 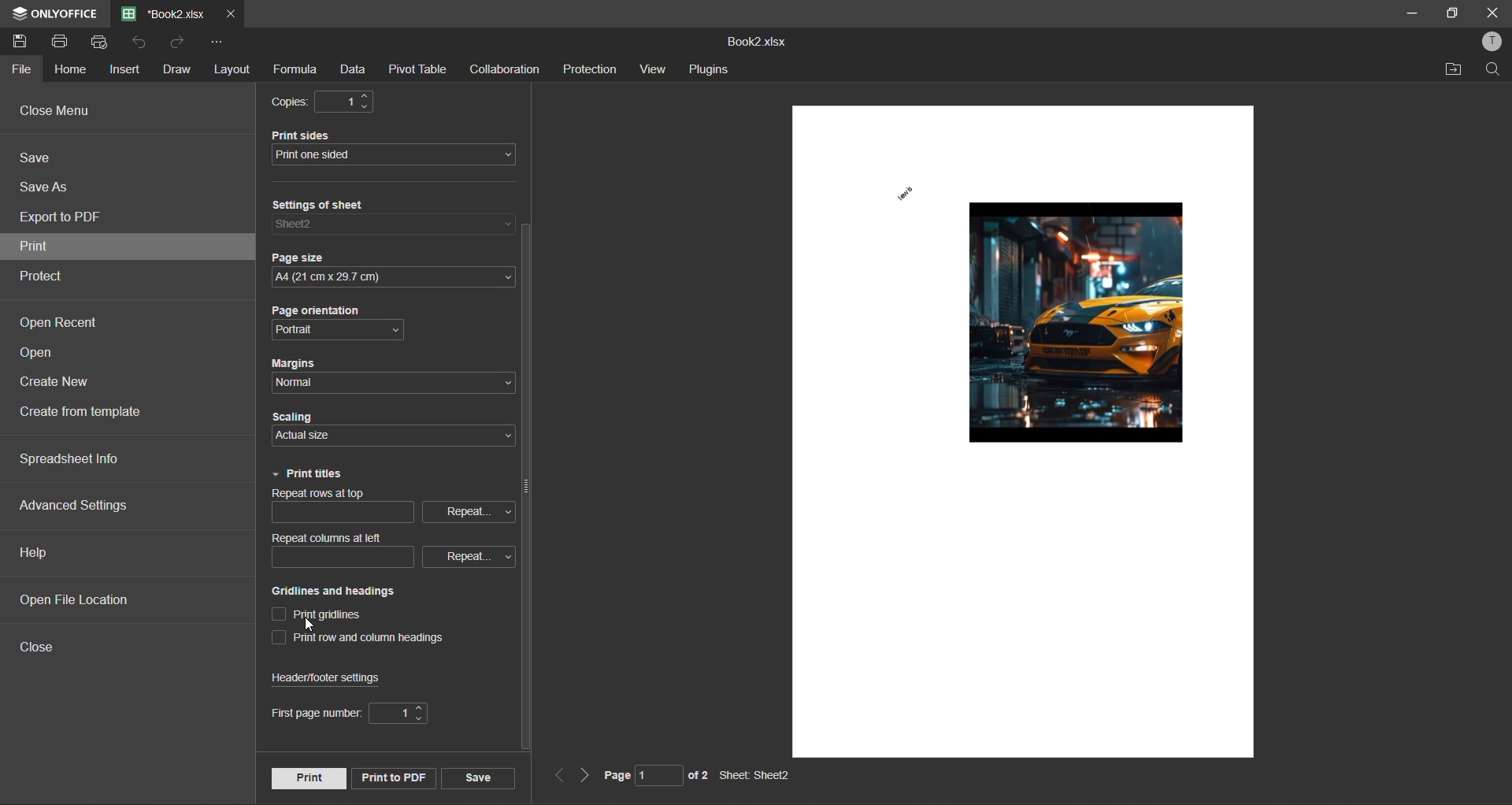 I want to click on A4 (21cm x29.7 cm) , so click(x=393, y=278).